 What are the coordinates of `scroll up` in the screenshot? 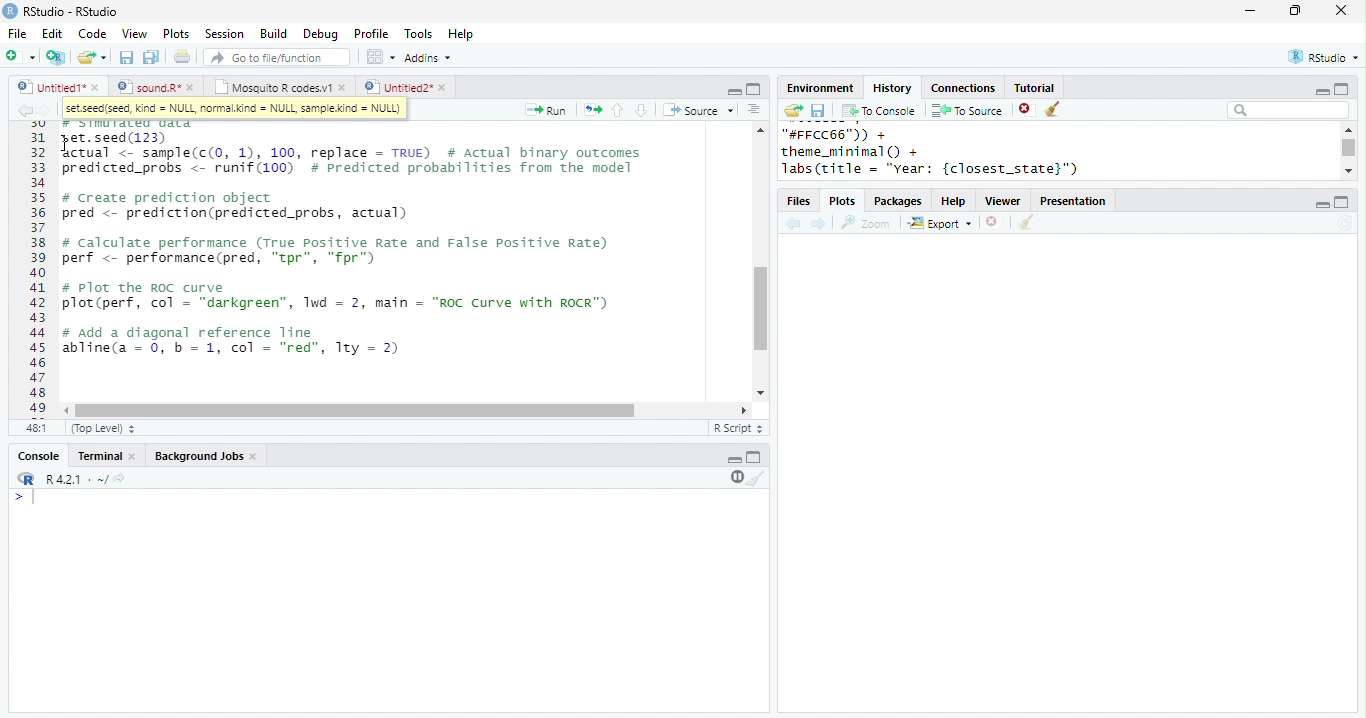 It's located at (1347, 129).